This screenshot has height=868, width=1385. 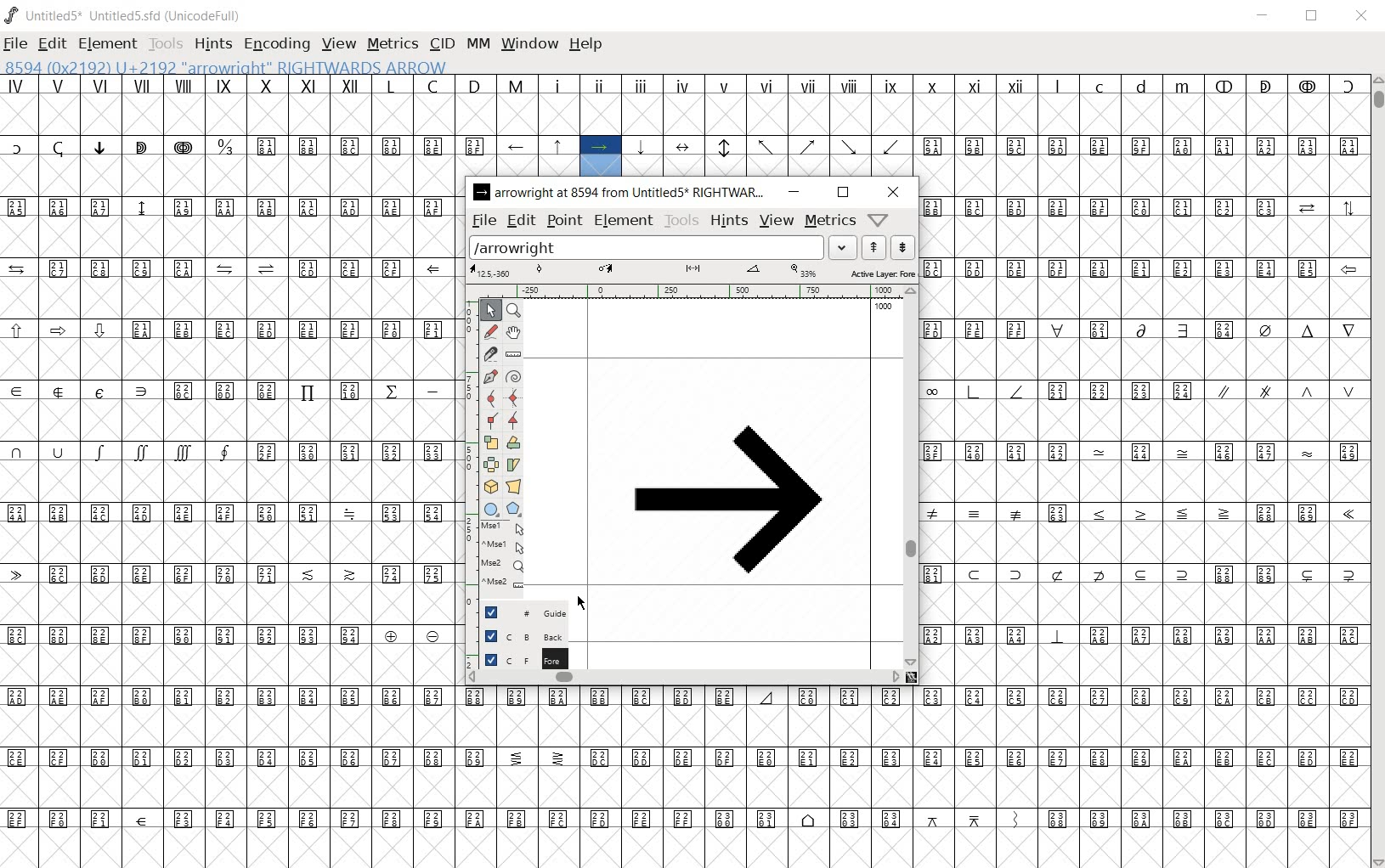 What do you see at coordinates (275, 43) in the screenshot?
I see `ENCODING` at bounding box center [275, 43].